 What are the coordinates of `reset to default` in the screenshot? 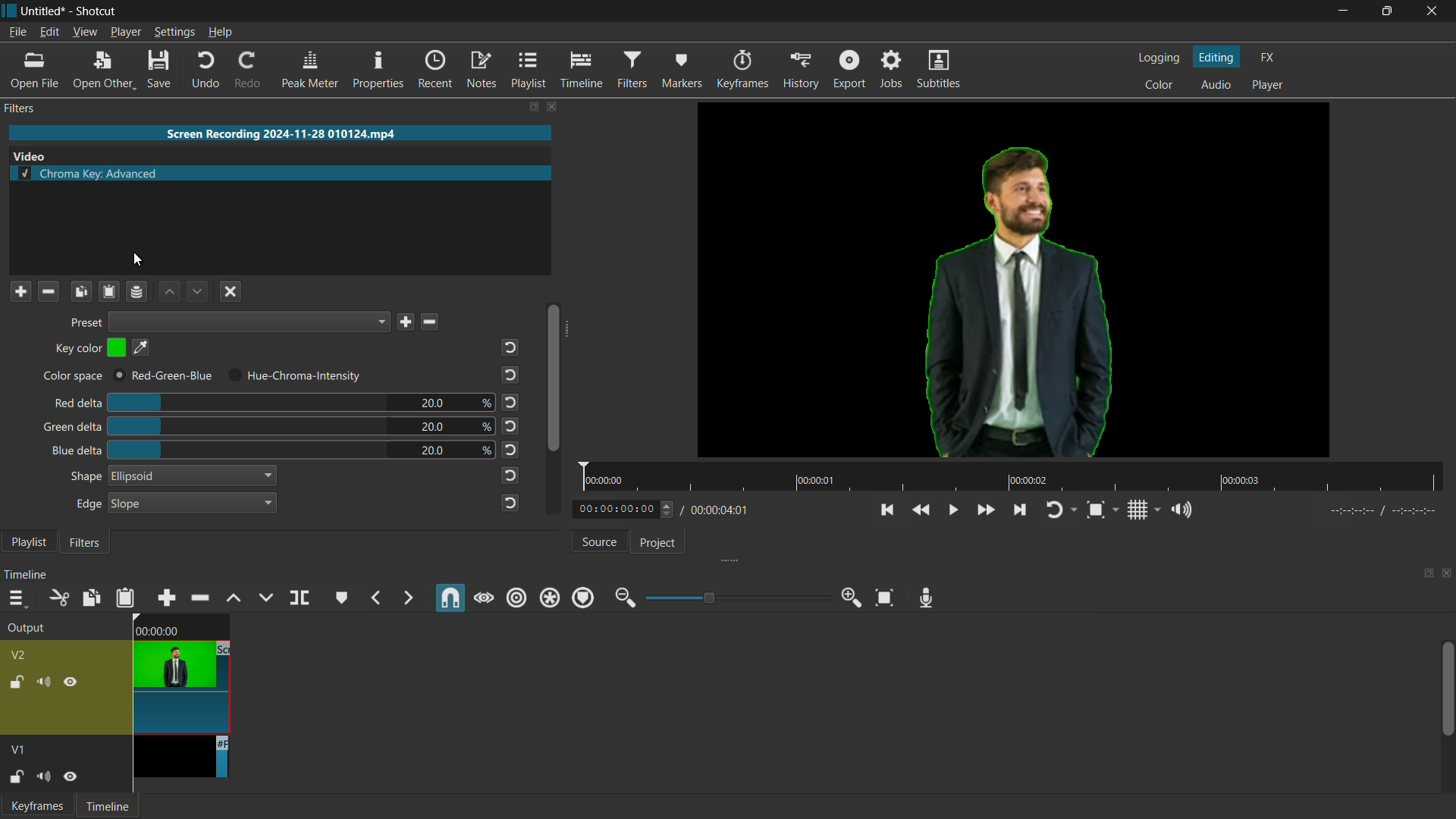 It's located at (512, 375).